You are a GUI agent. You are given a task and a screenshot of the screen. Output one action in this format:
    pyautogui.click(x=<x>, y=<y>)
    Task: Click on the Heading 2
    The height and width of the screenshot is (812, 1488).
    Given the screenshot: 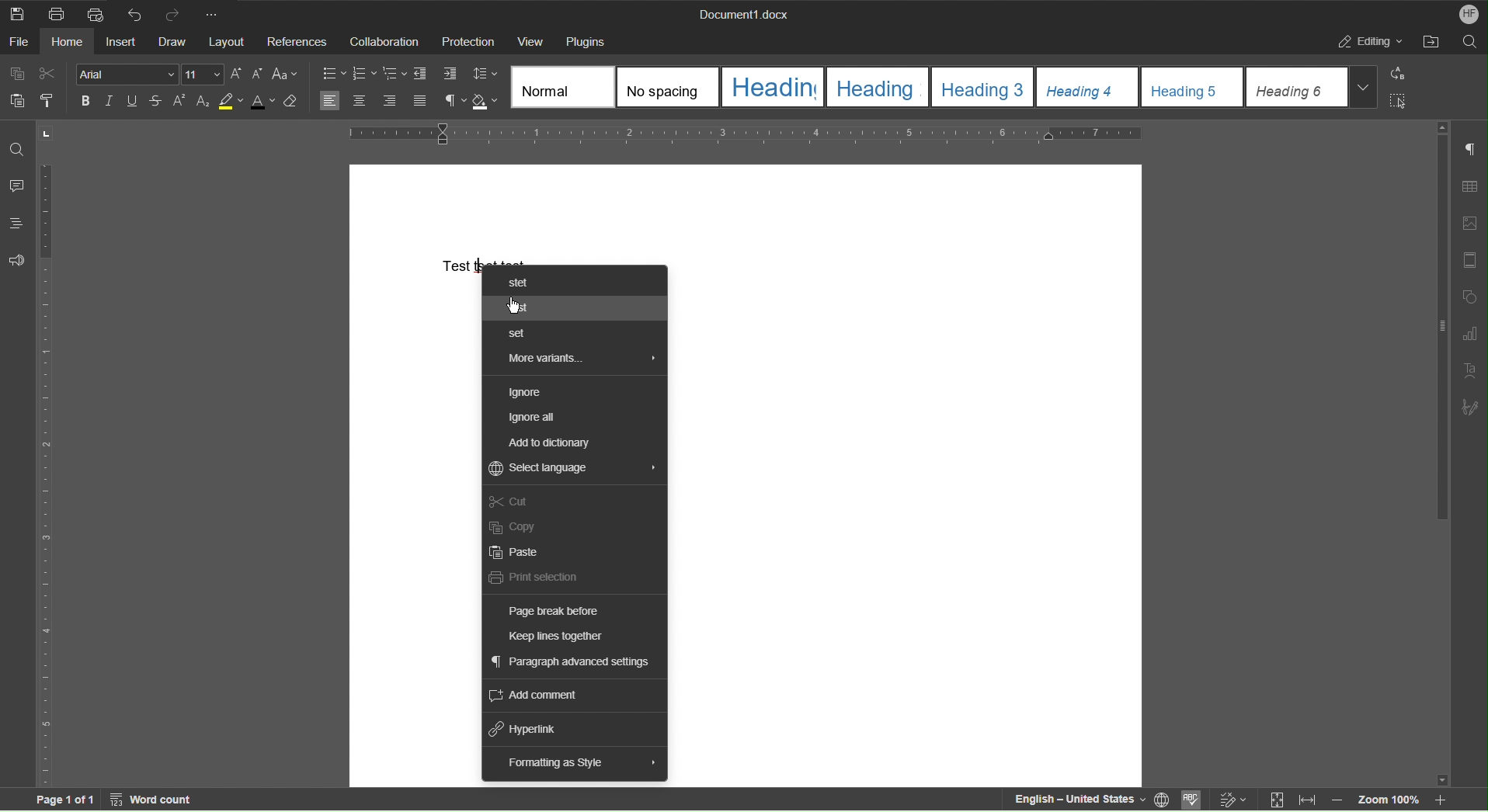 What is the action you would take?
    pyautogui.click(x=878, y=86)
    